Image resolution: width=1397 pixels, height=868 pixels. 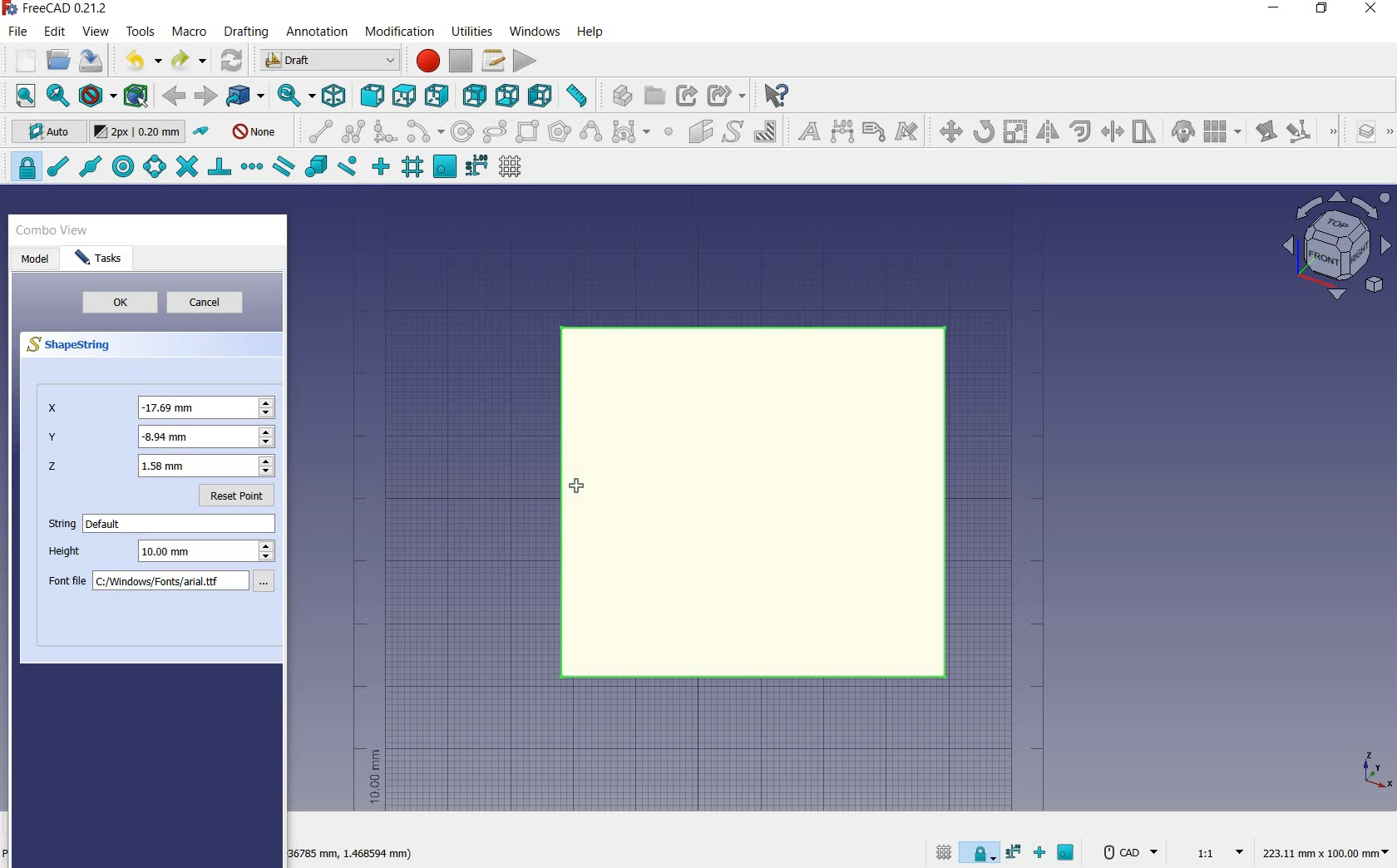 I want to click on set scale, so click(x=1214, y=851).